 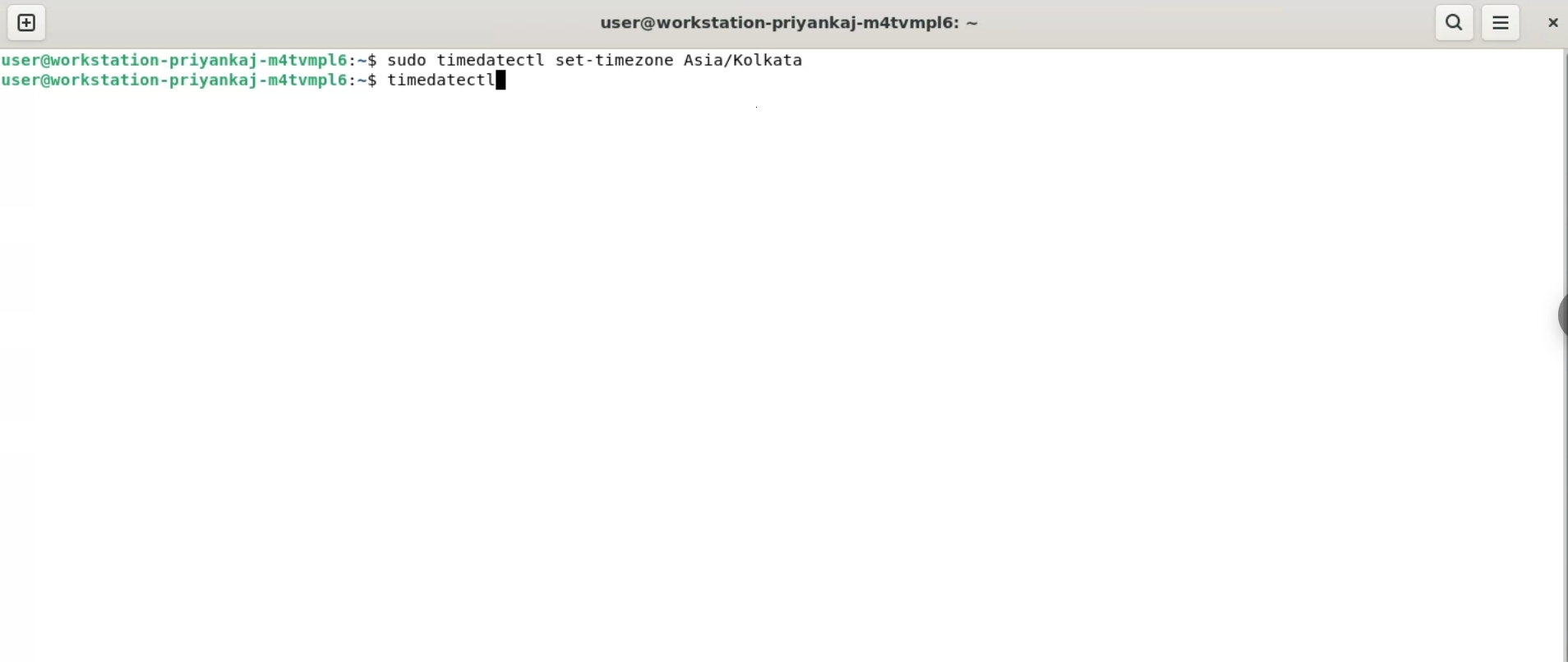 What do you see at coordinates (440, 80) in the screenshot?
I see `timedatectl` at bounding box center [440, 80].